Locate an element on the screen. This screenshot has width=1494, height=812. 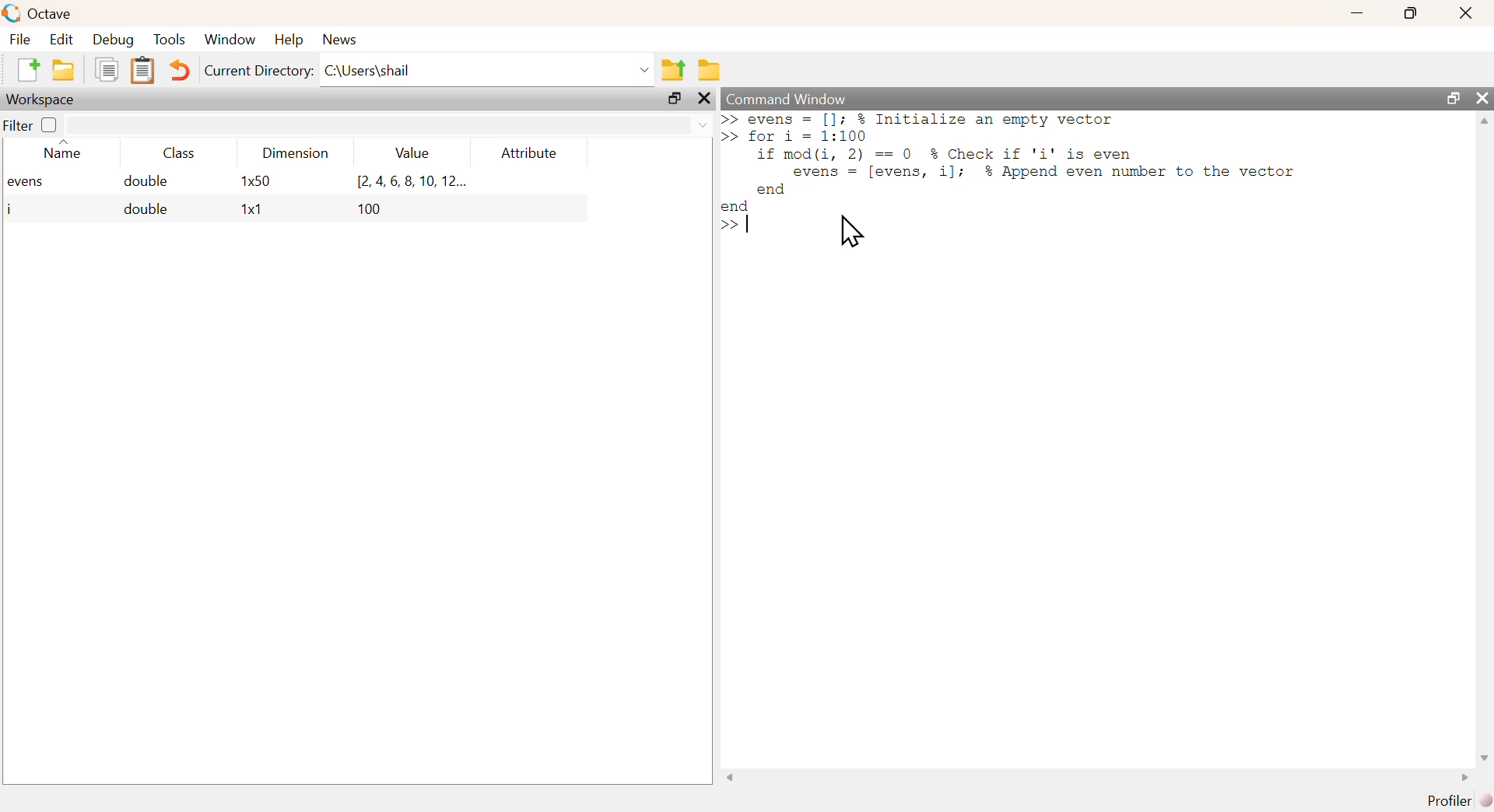
[2.4,6,8,10, 12... is located at coordinates (412, 181).